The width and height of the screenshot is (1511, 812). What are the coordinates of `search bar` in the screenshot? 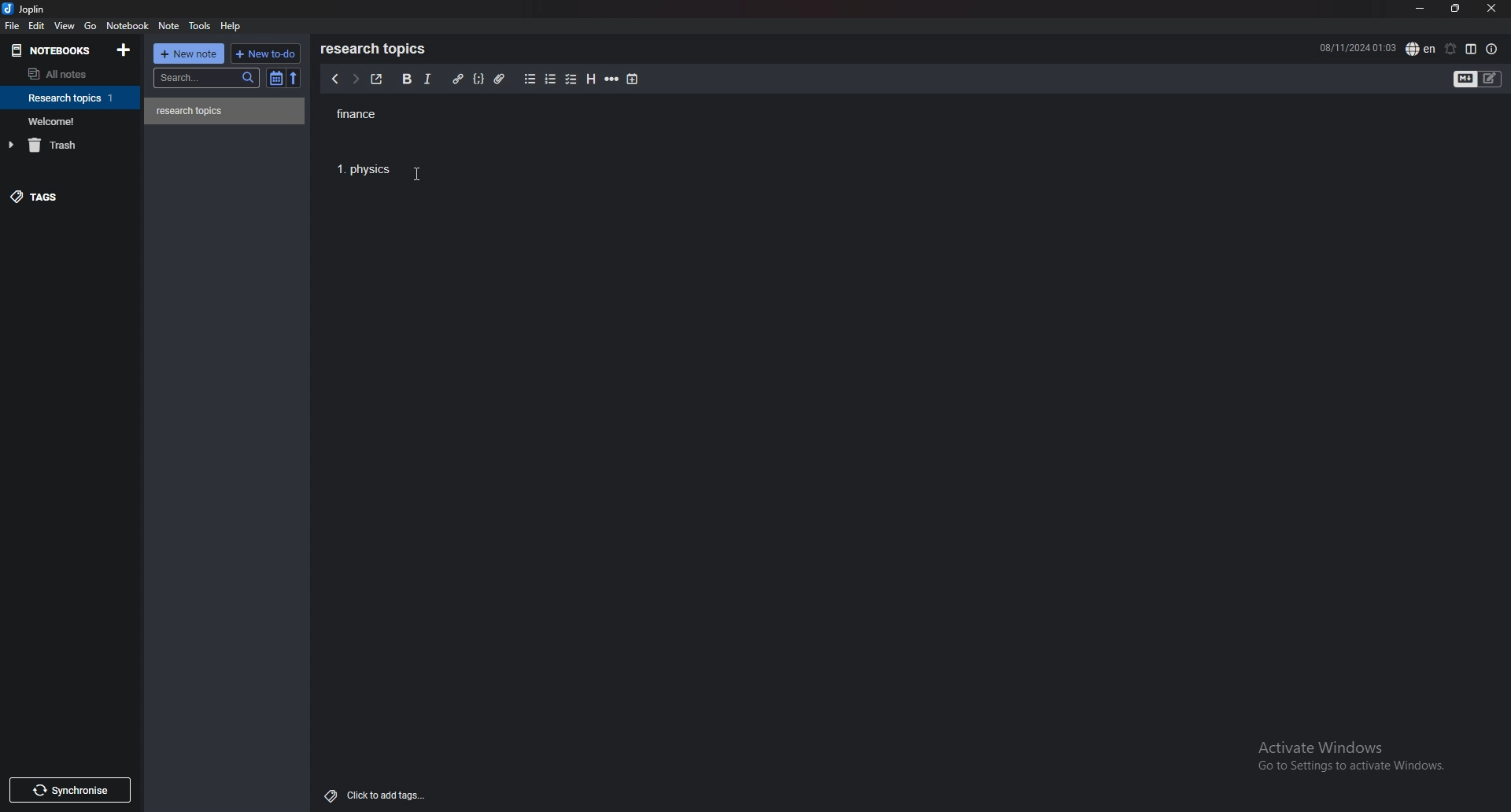 It's located at (208, 77).